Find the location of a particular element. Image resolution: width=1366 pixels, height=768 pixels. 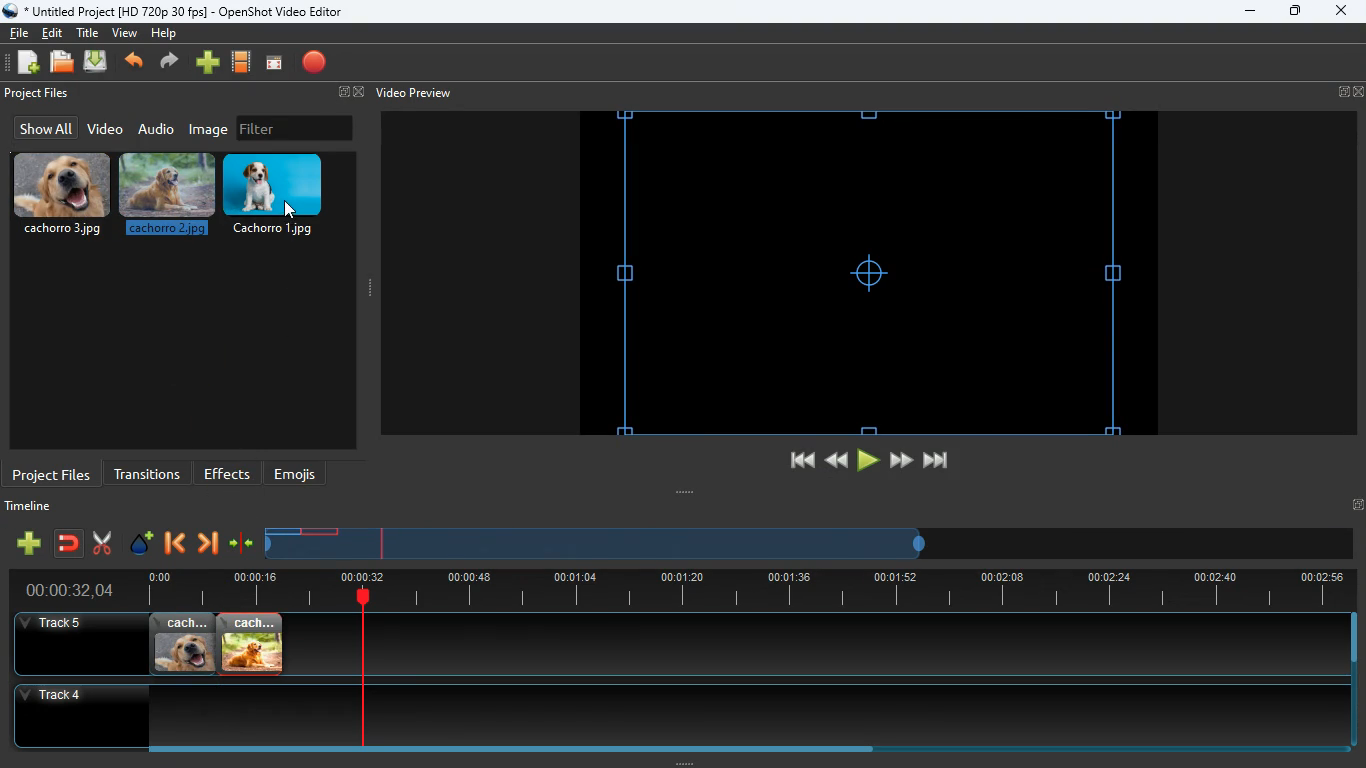

video preview is located at coordinates (412, 93).